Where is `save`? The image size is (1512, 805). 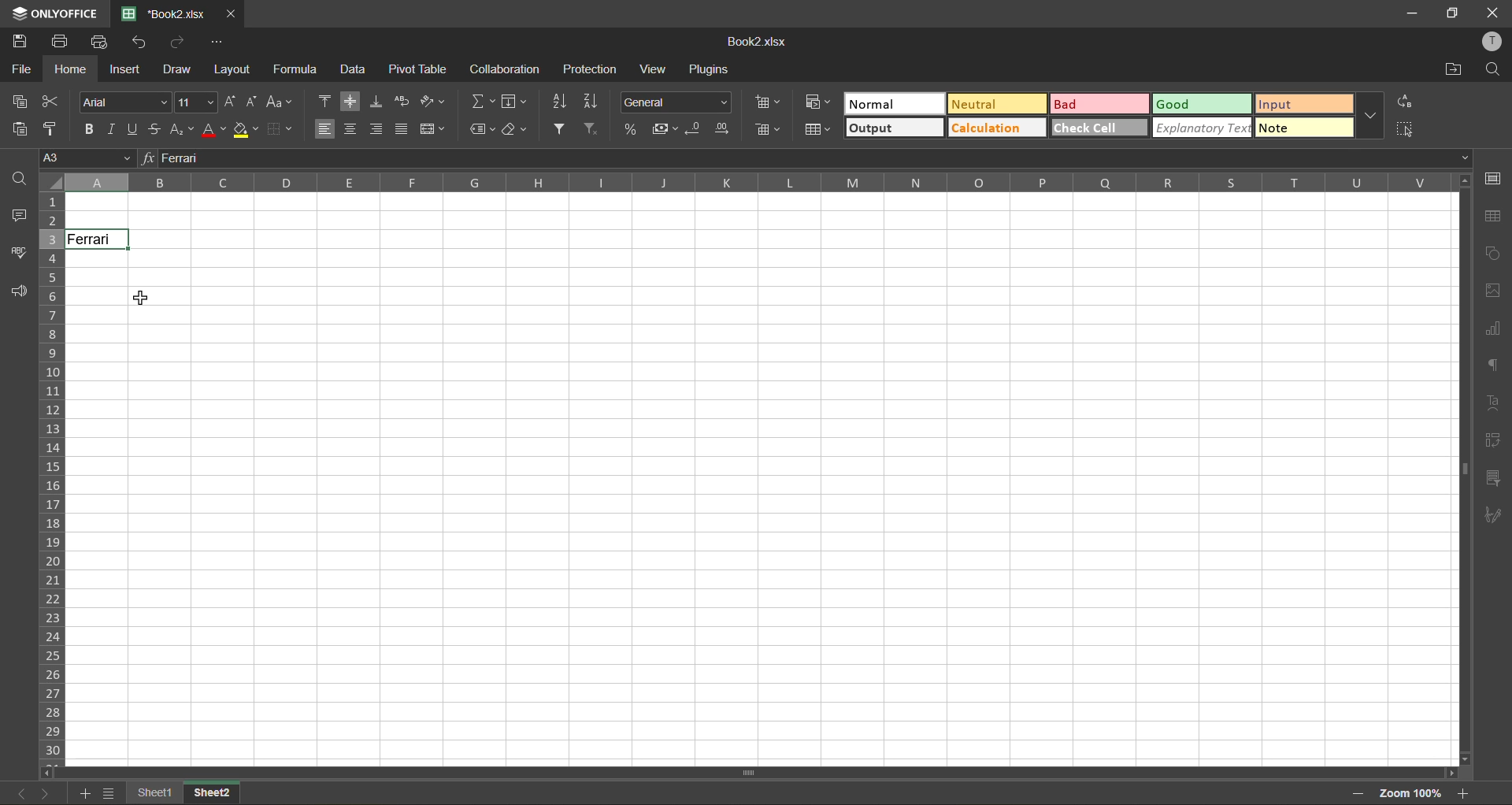 save is located at coordinates (20, 39).